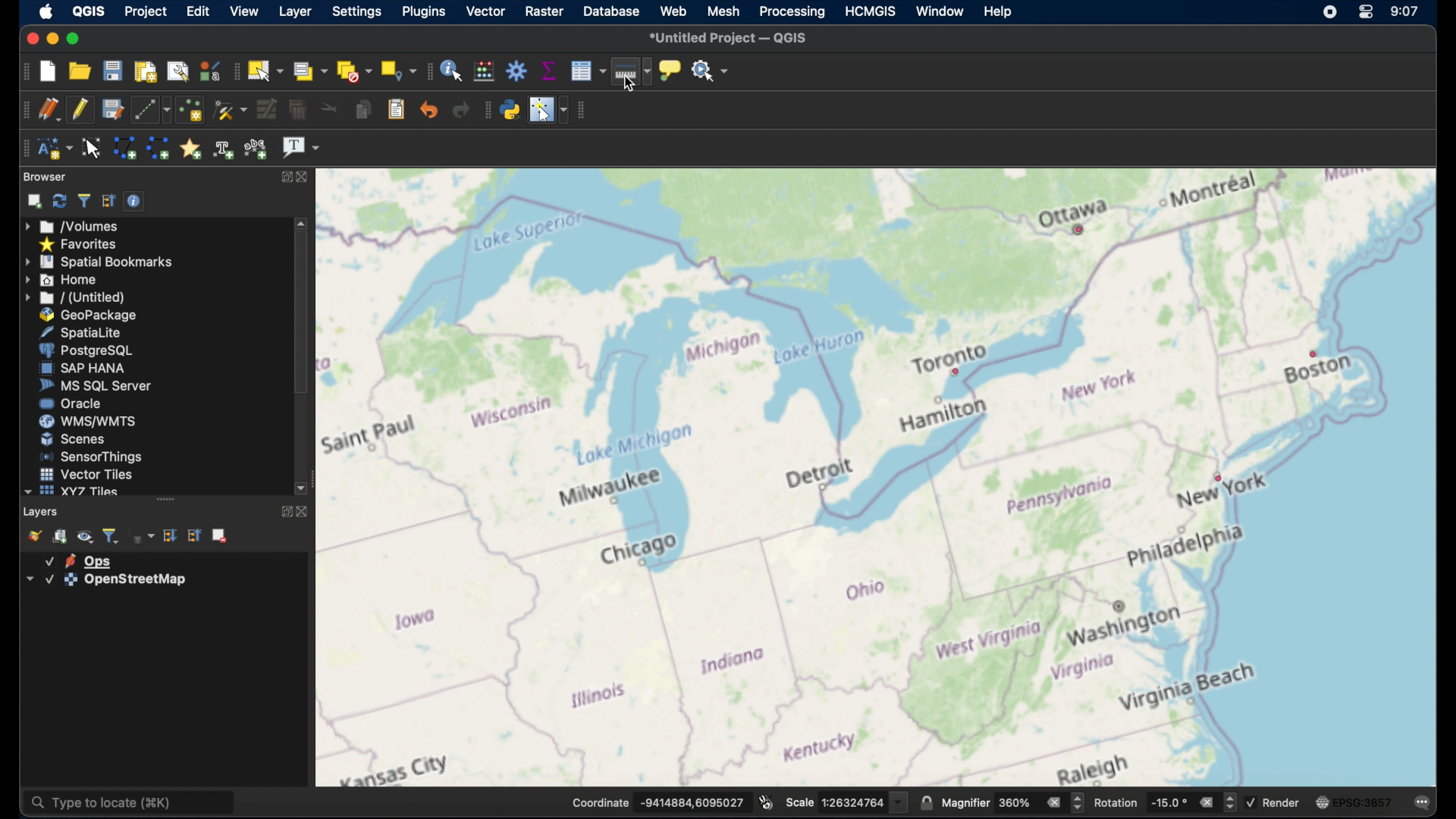  Describe the element at coordinates (397, 71) in the screenshot. I see `select by location` at that location.